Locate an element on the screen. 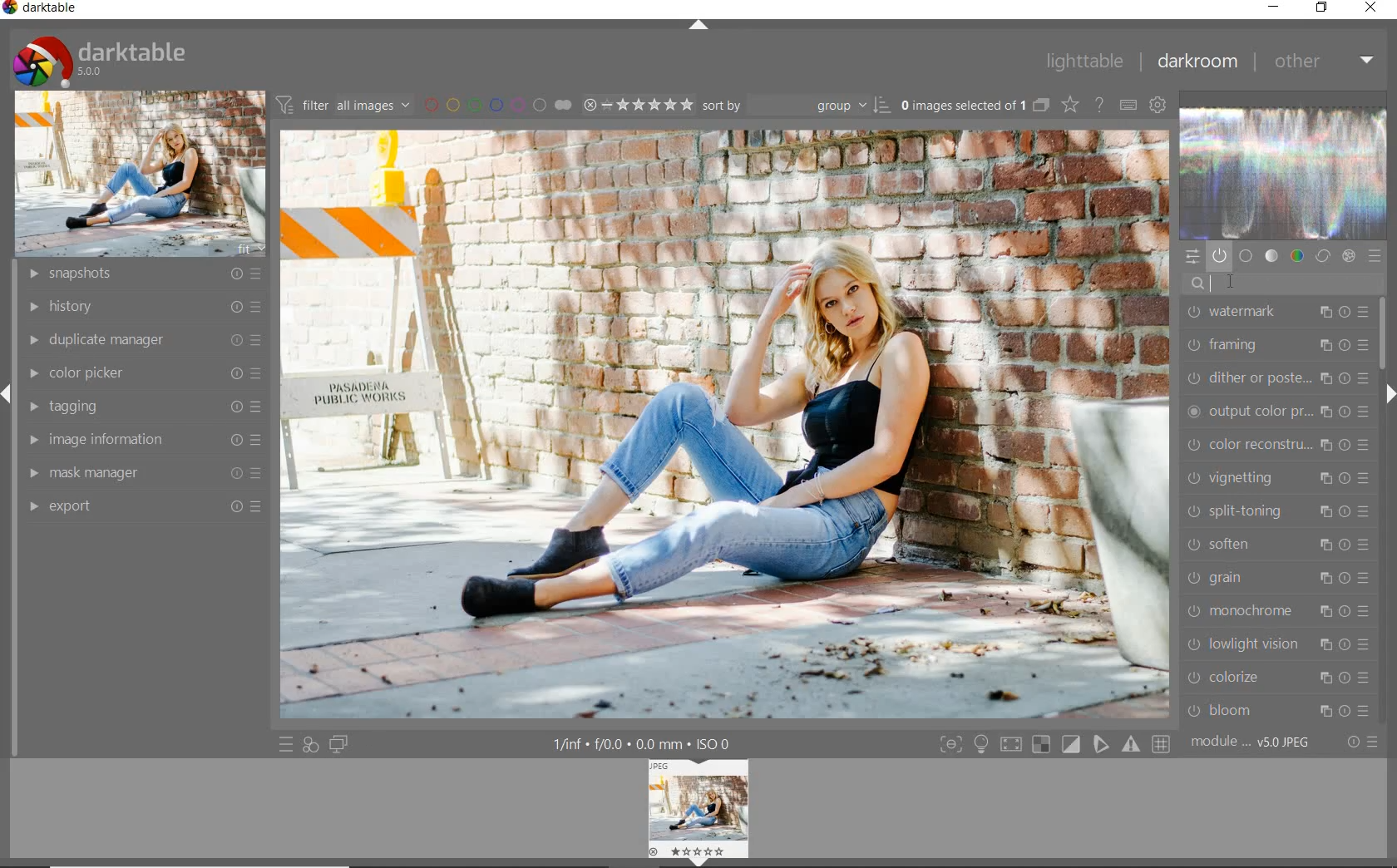 This screenshot has width=1397, height=868. mask manager is located at coordinates (141, 474).